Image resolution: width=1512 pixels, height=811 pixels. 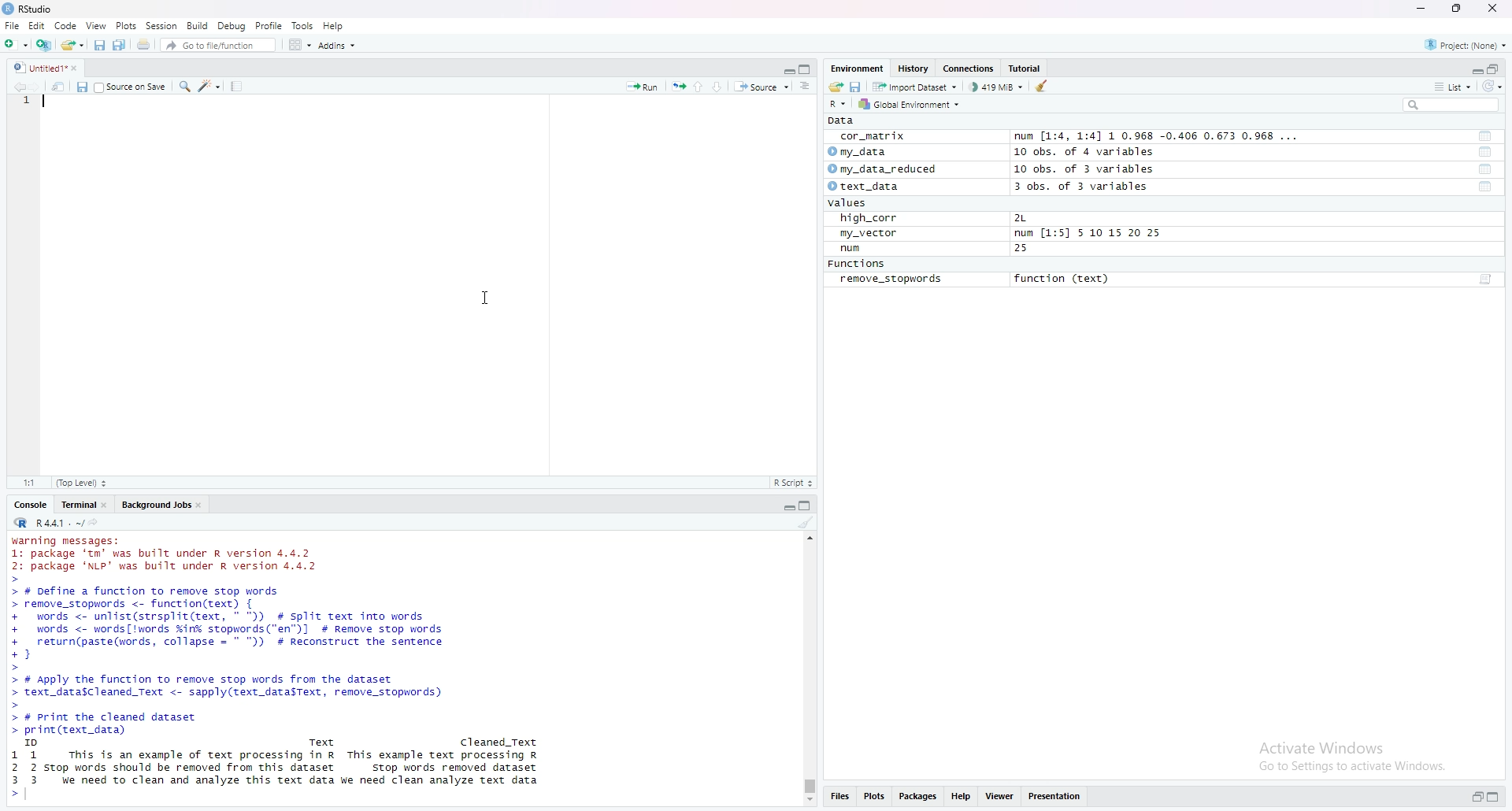 I want to click on Show Table, so click(x=1484, y=169).